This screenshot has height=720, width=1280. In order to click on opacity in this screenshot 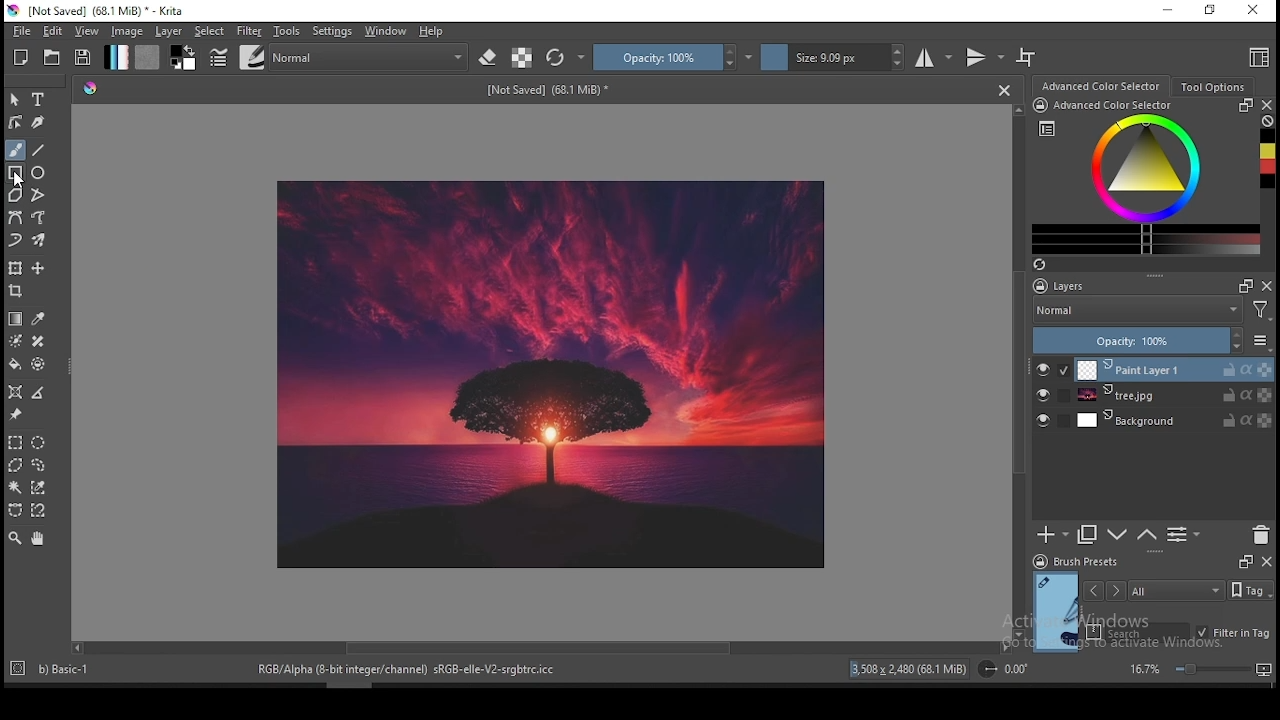, I will do `click(673, 57)`.